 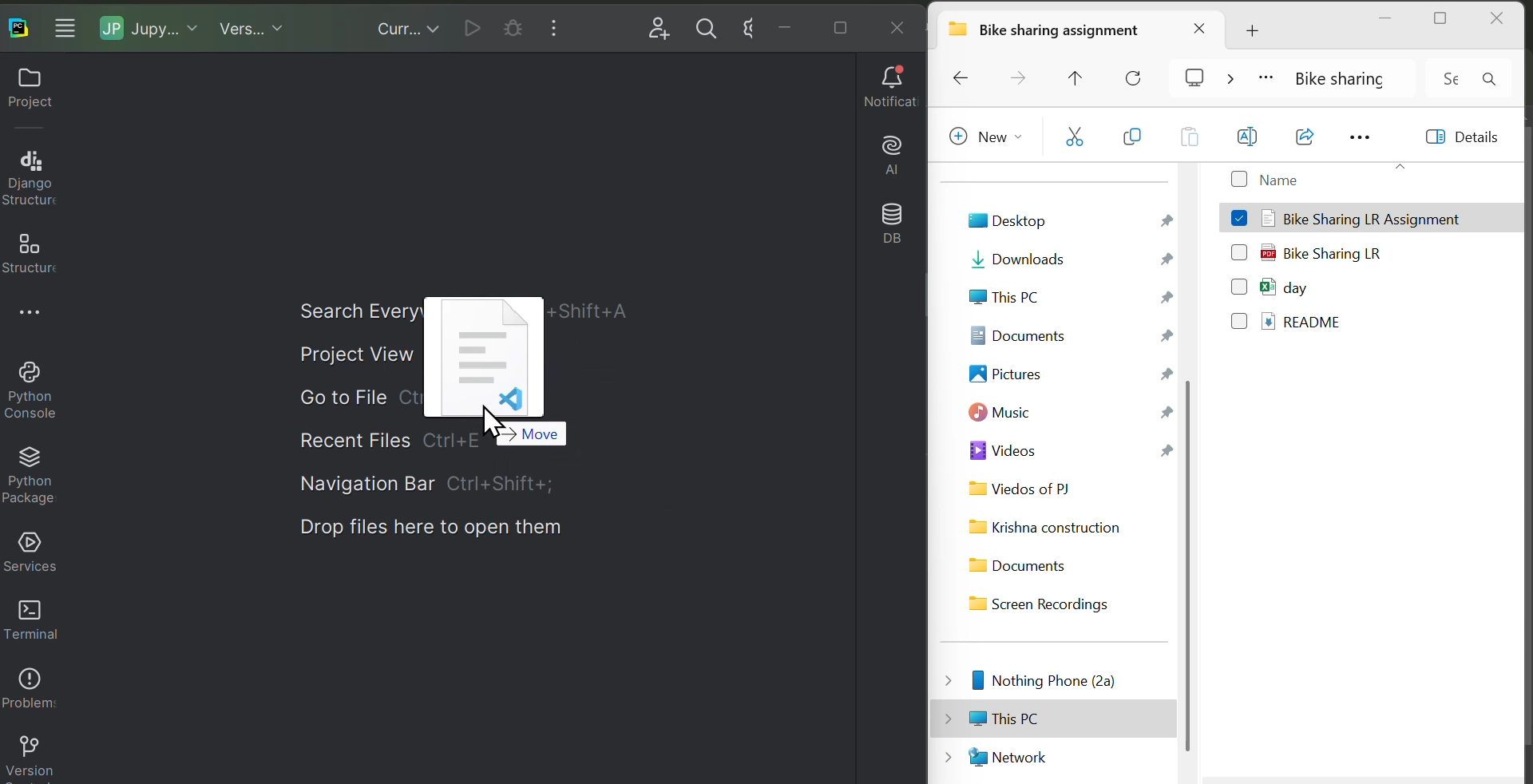 I want to click on minimise, so click(x=1387, y=19).